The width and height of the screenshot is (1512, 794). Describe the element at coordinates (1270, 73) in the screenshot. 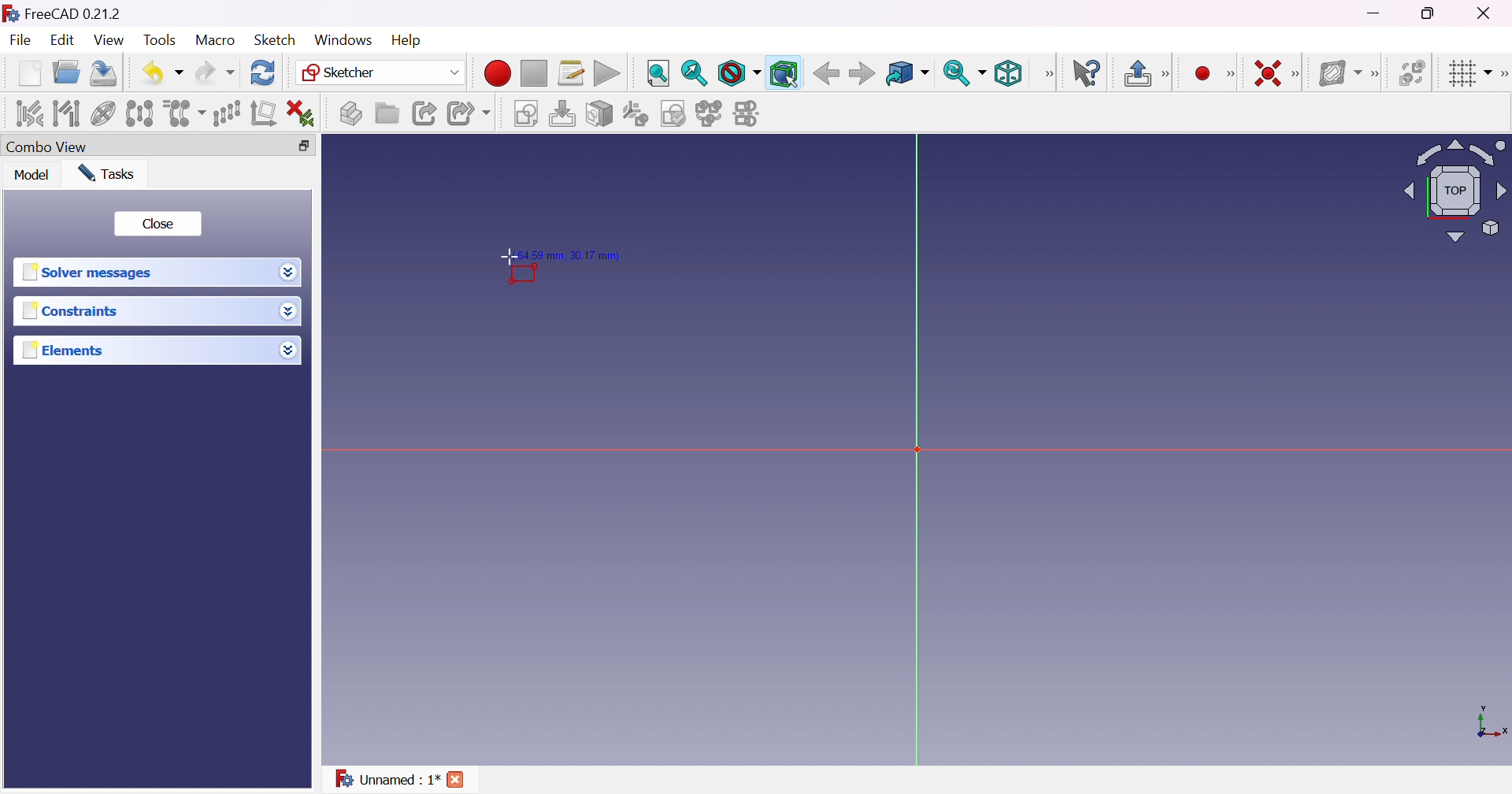

I see `Constrain coincident` at that location.